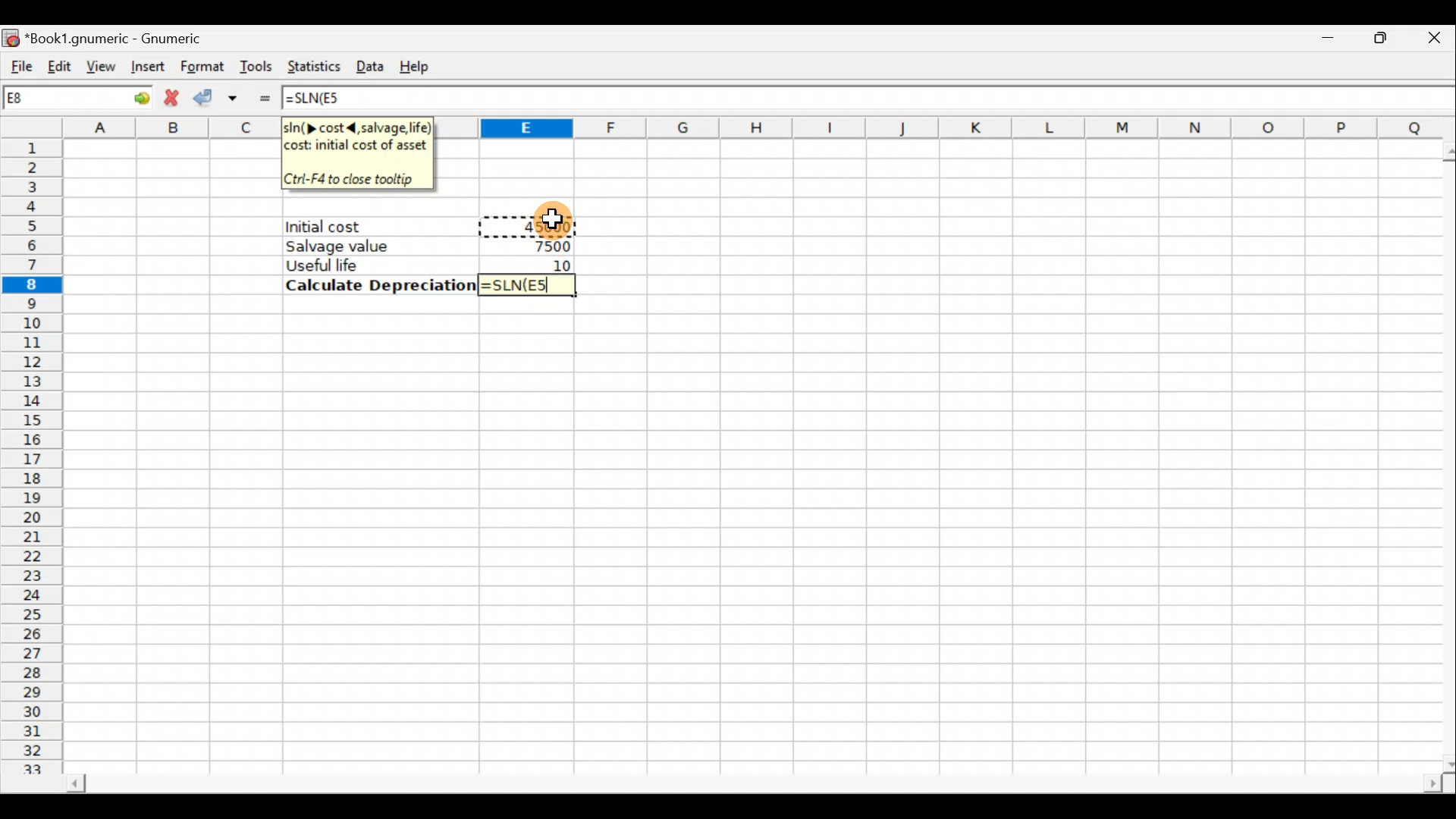 This screenshot has height=819, width=1456. Describe the element at coordinates (1325, 42) in the screenshot. I see `Minimize` at that location.